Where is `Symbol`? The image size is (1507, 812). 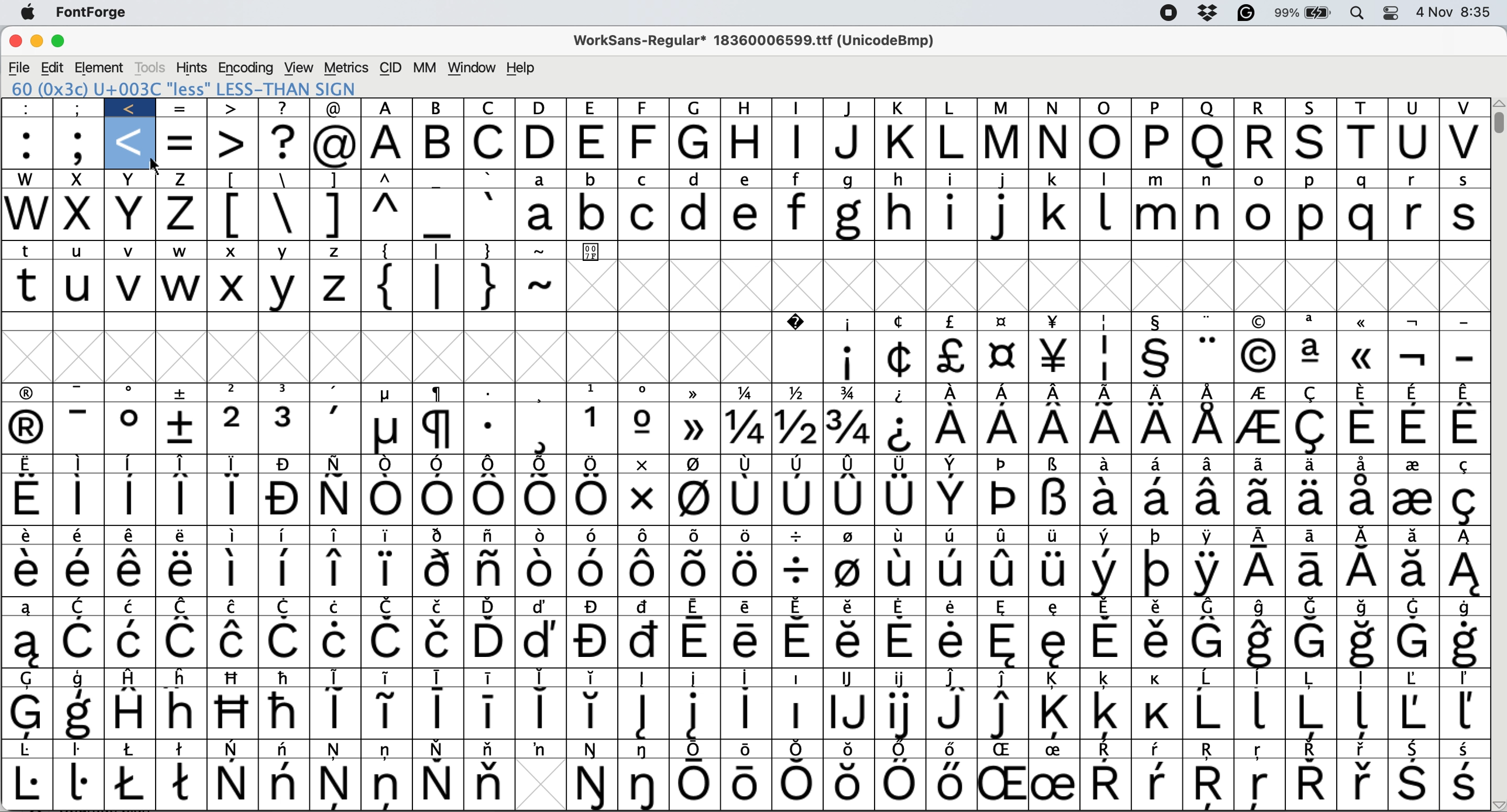
Symbol is located at coordinates (952, 711).